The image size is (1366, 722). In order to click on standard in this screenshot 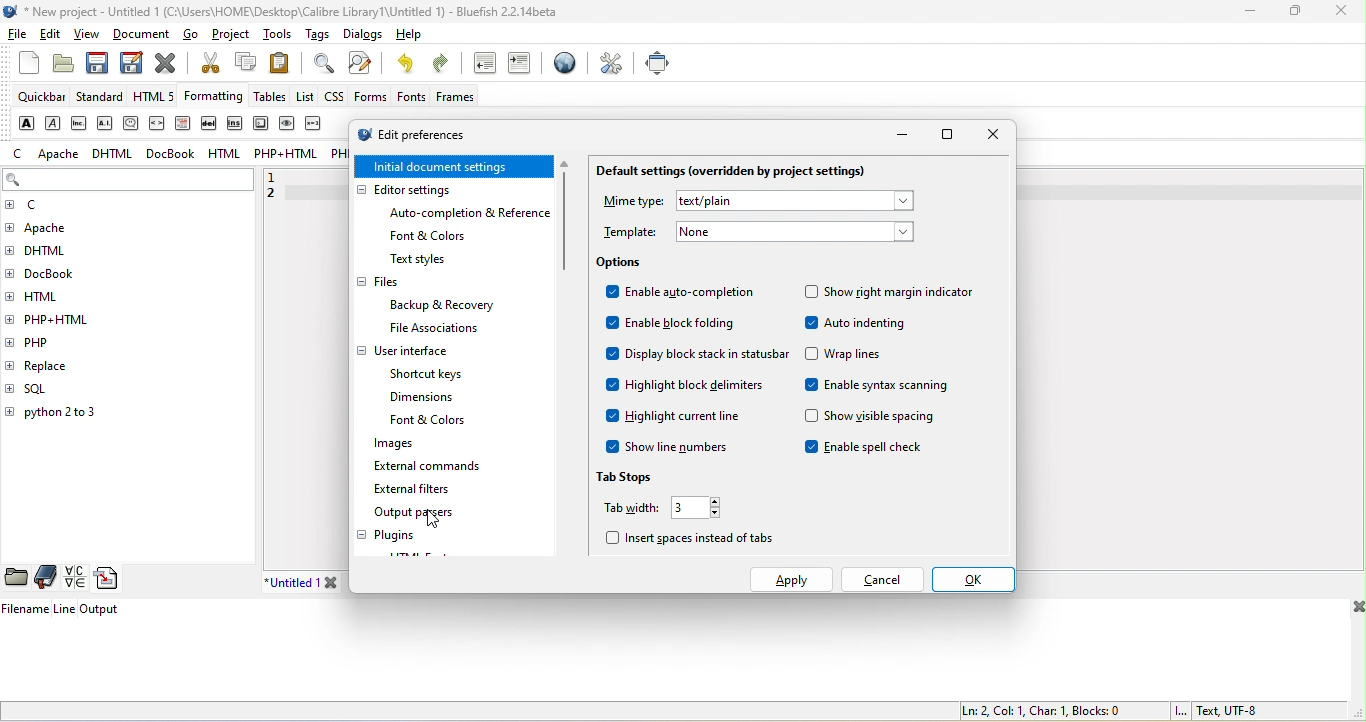, I will do `click(104, 98)`.